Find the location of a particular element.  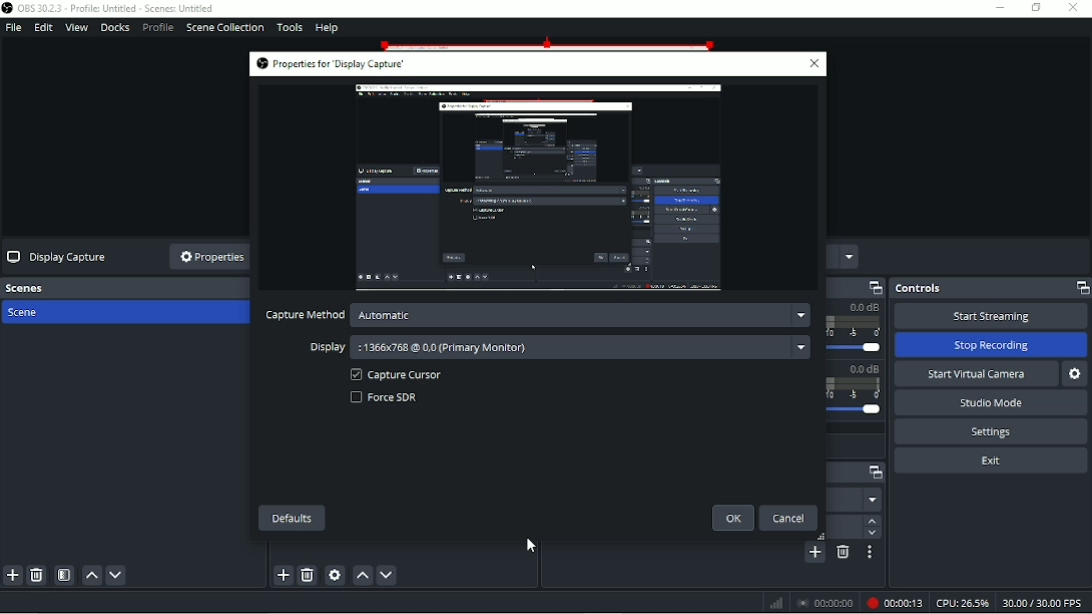

Move scene down is located at coordinates (116, 575).